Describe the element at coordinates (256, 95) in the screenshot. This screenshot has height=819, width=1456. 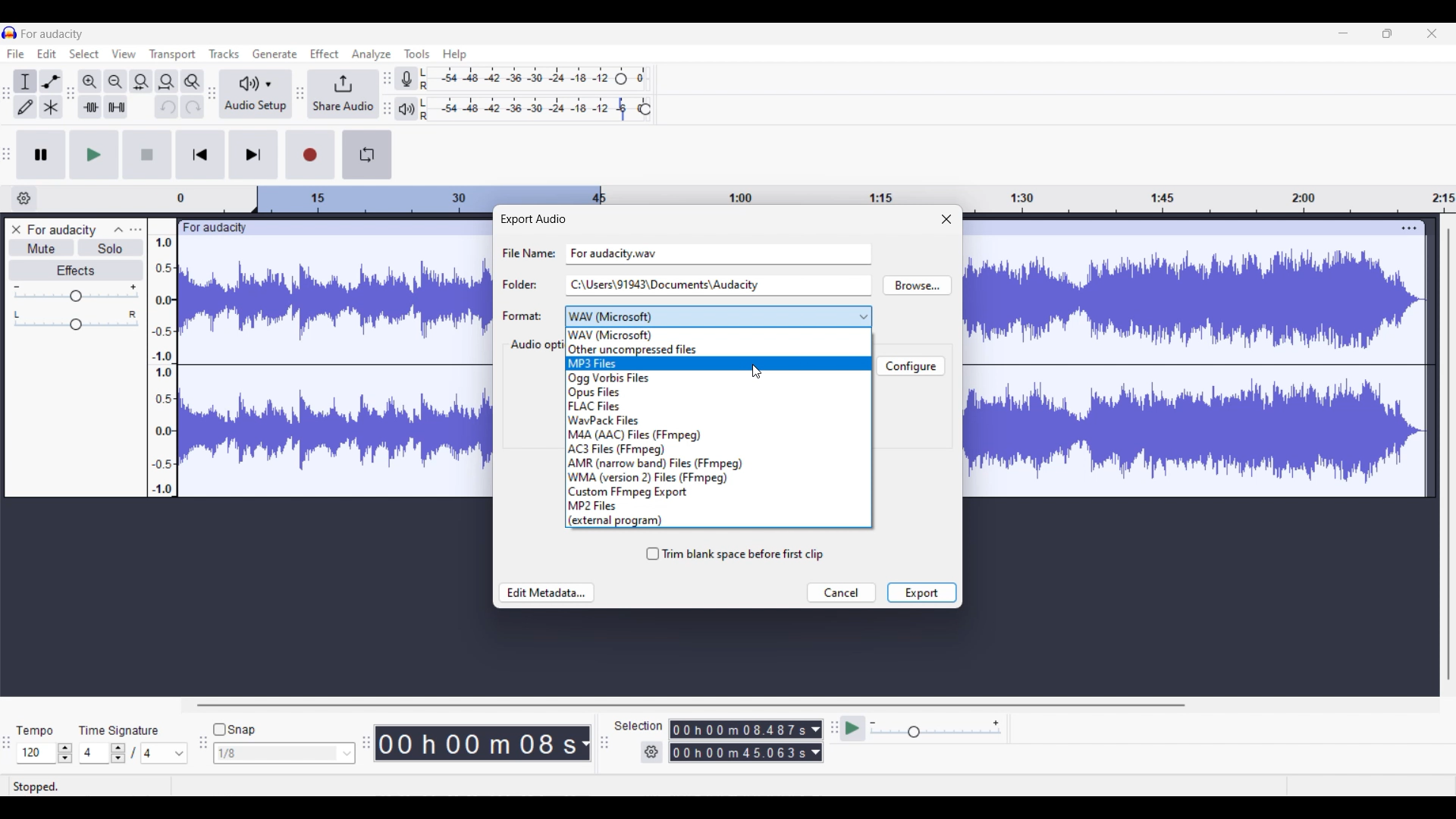
I see `Audio setup` at that location.